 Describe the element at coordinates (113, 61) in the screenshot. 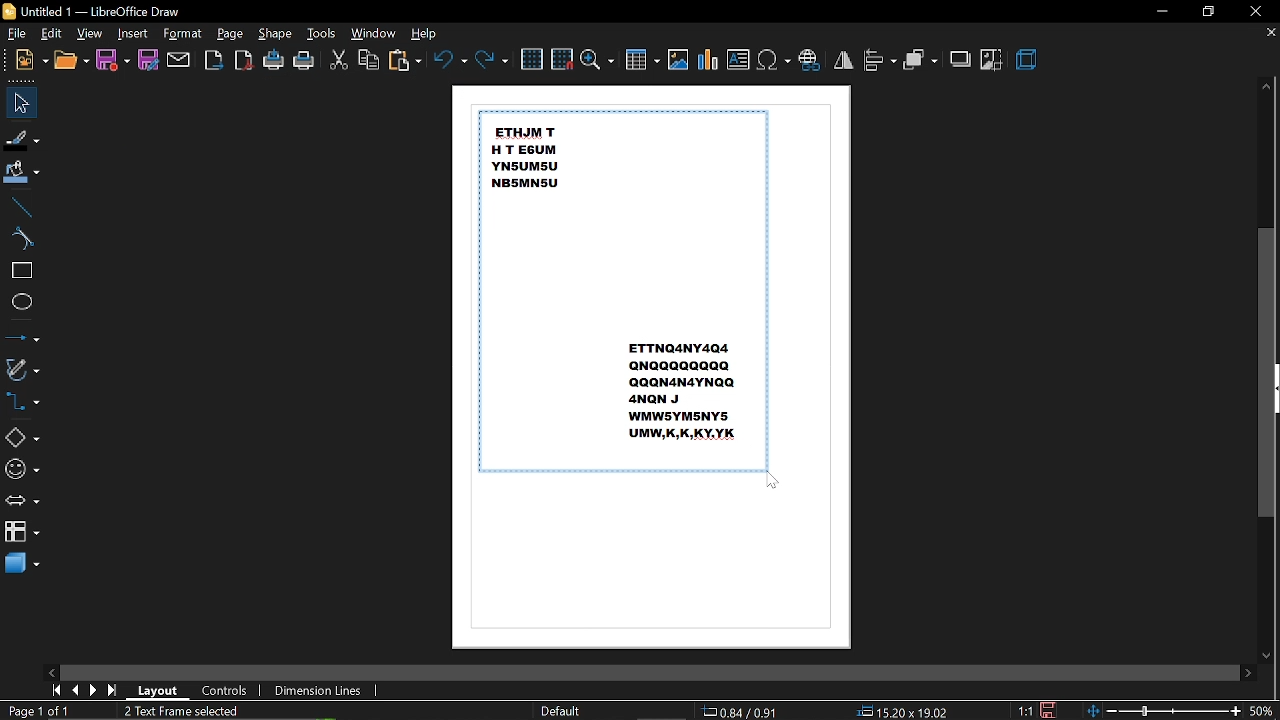

I see `save ` at that location.